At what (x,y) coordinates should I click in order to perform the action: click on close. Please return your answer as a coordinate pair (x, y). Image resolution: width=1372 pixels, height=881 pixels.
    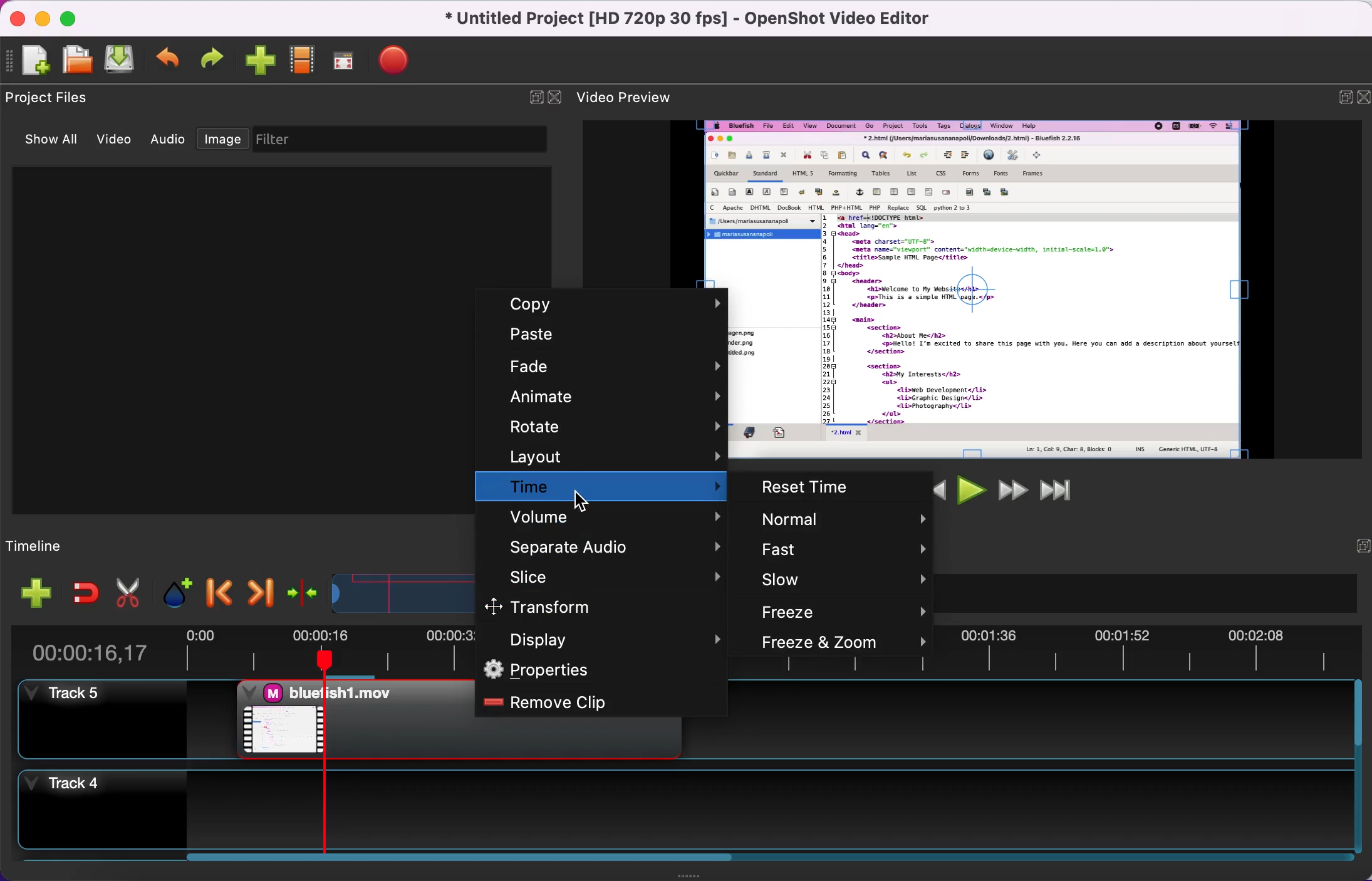
    Looking at the image, I should click on (21, 21).